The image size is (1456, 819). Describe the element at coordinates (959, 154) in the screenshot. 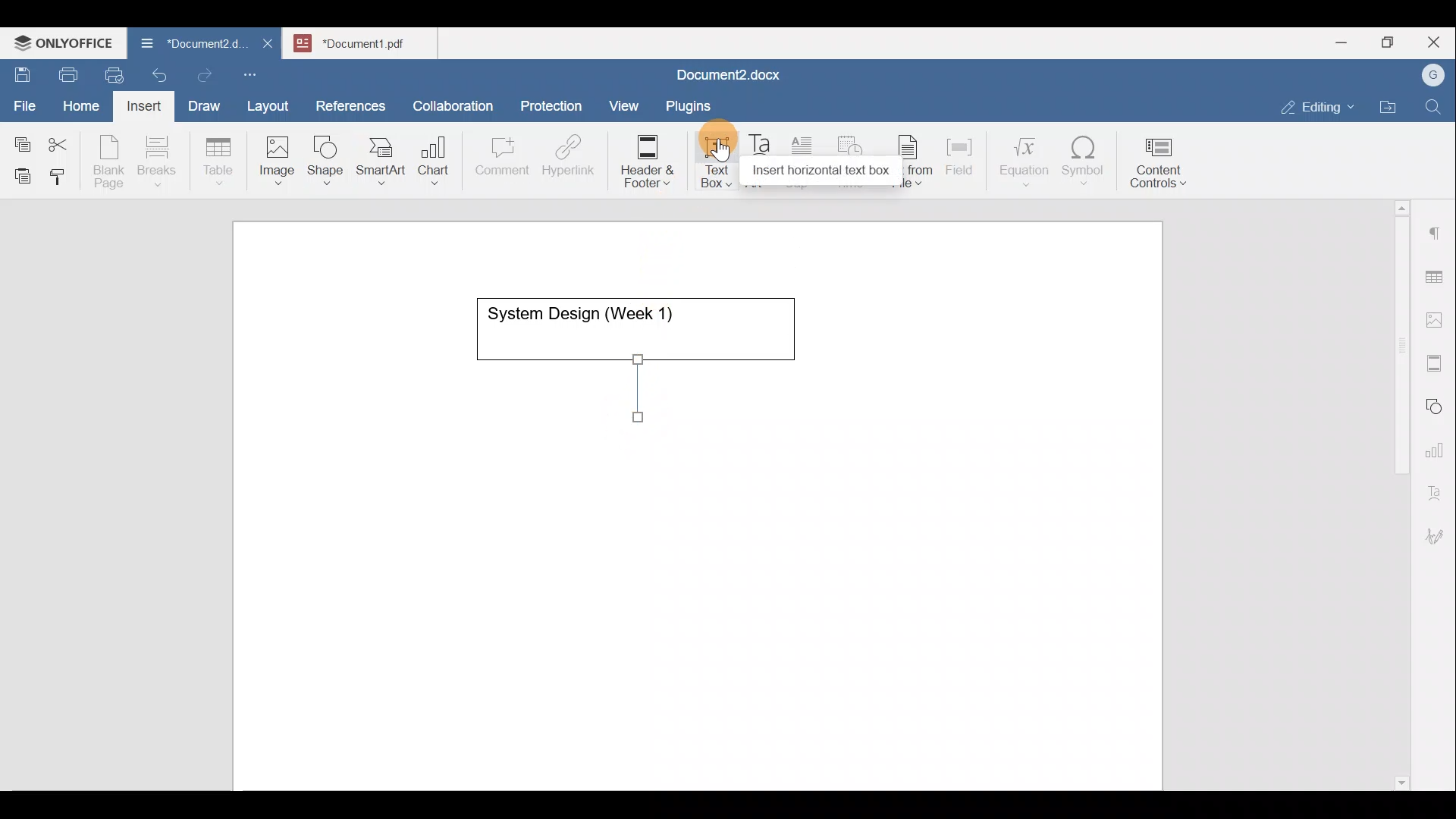

I see `Field` at that location.